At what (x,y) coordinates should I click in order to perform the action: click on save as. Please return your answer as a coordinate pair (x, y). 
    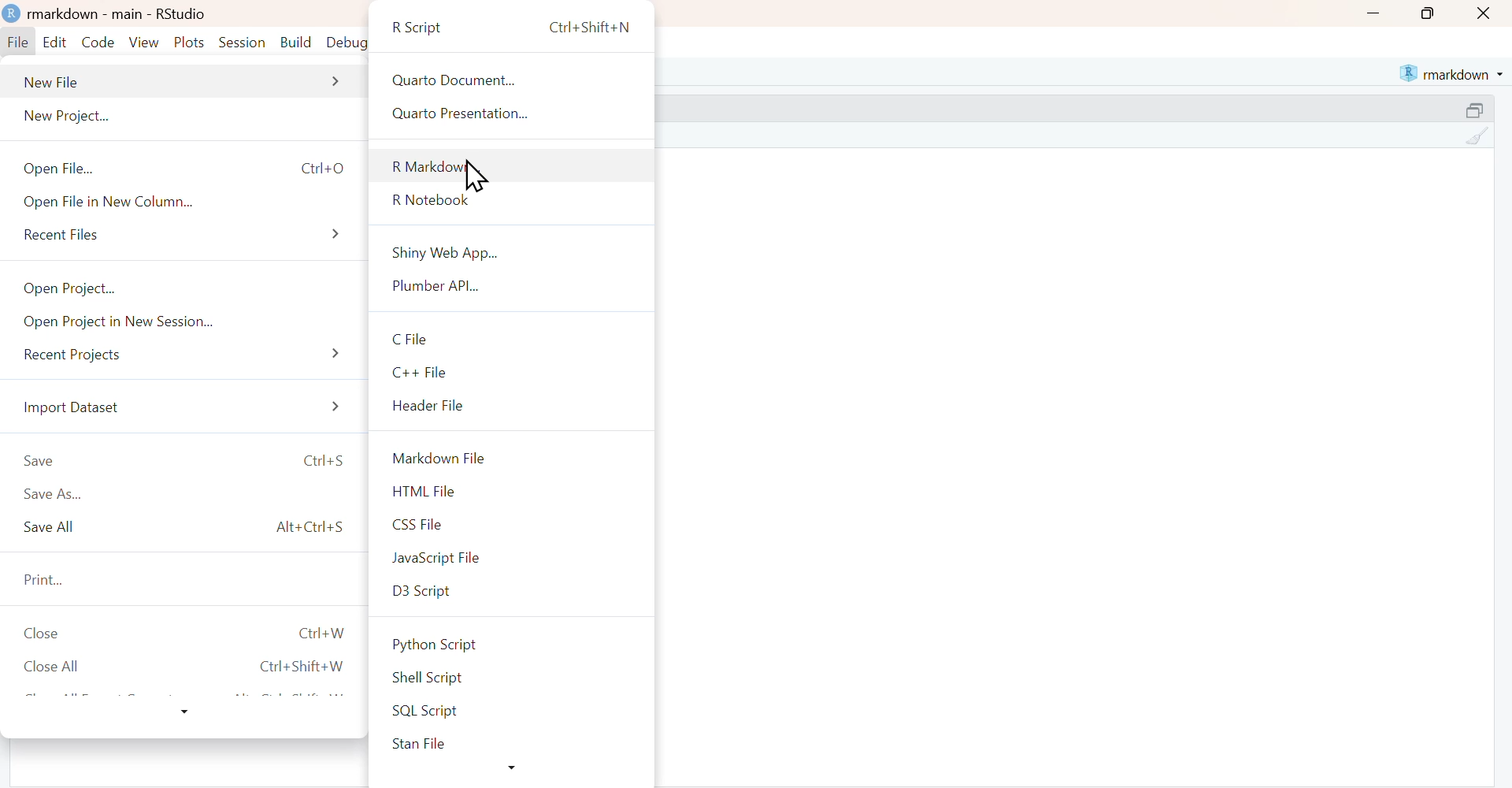
    Looking at the image, I should click on (191, 495).